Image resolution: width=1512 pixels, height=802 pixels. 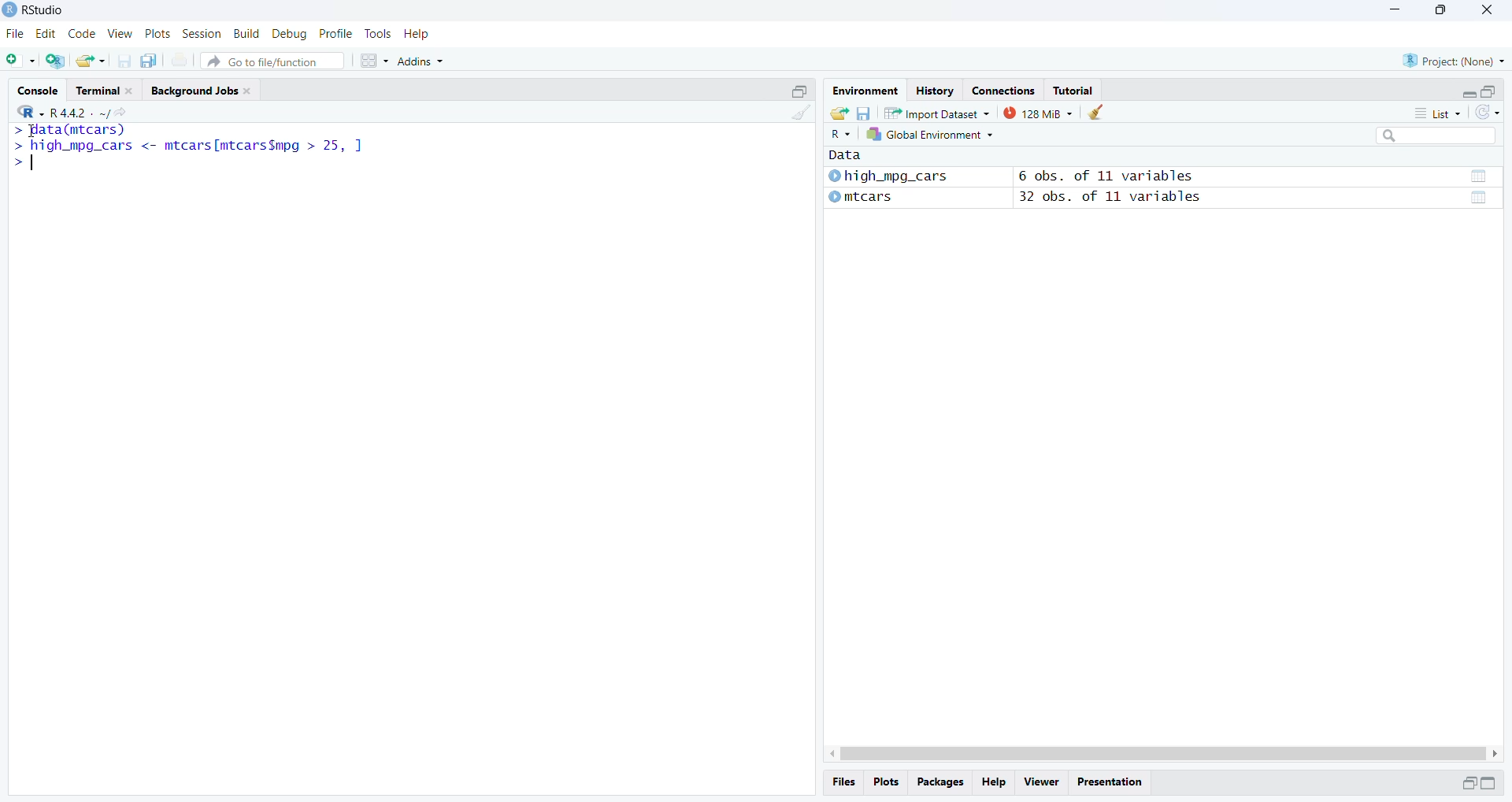 What do you see at coordinates (113, 113) in the screenshot?
I see `view current directory` at bounding box center [113, 113].